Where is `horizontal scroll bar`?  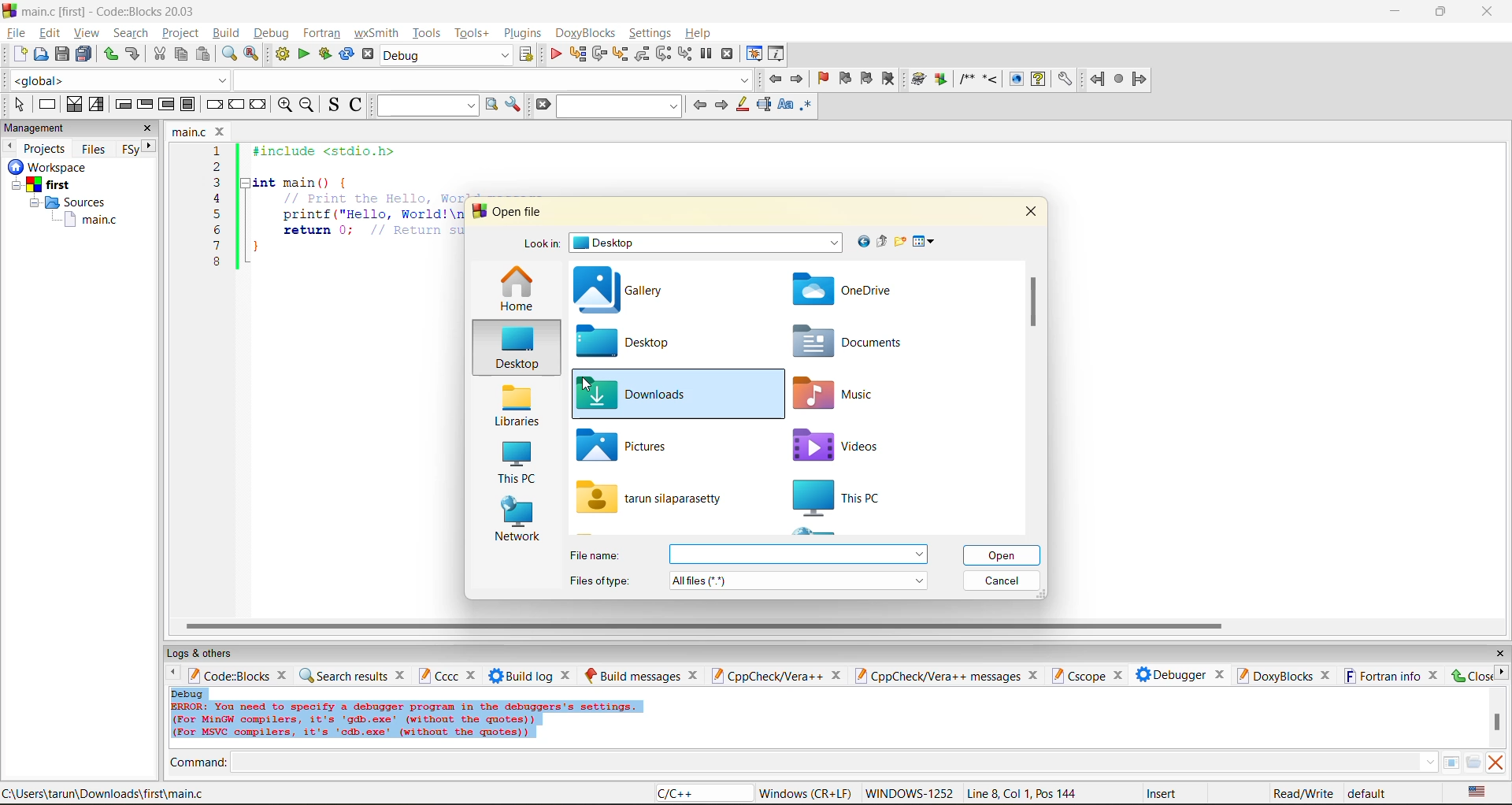
horizontal scroll bar is located at coordinates (703, 626).